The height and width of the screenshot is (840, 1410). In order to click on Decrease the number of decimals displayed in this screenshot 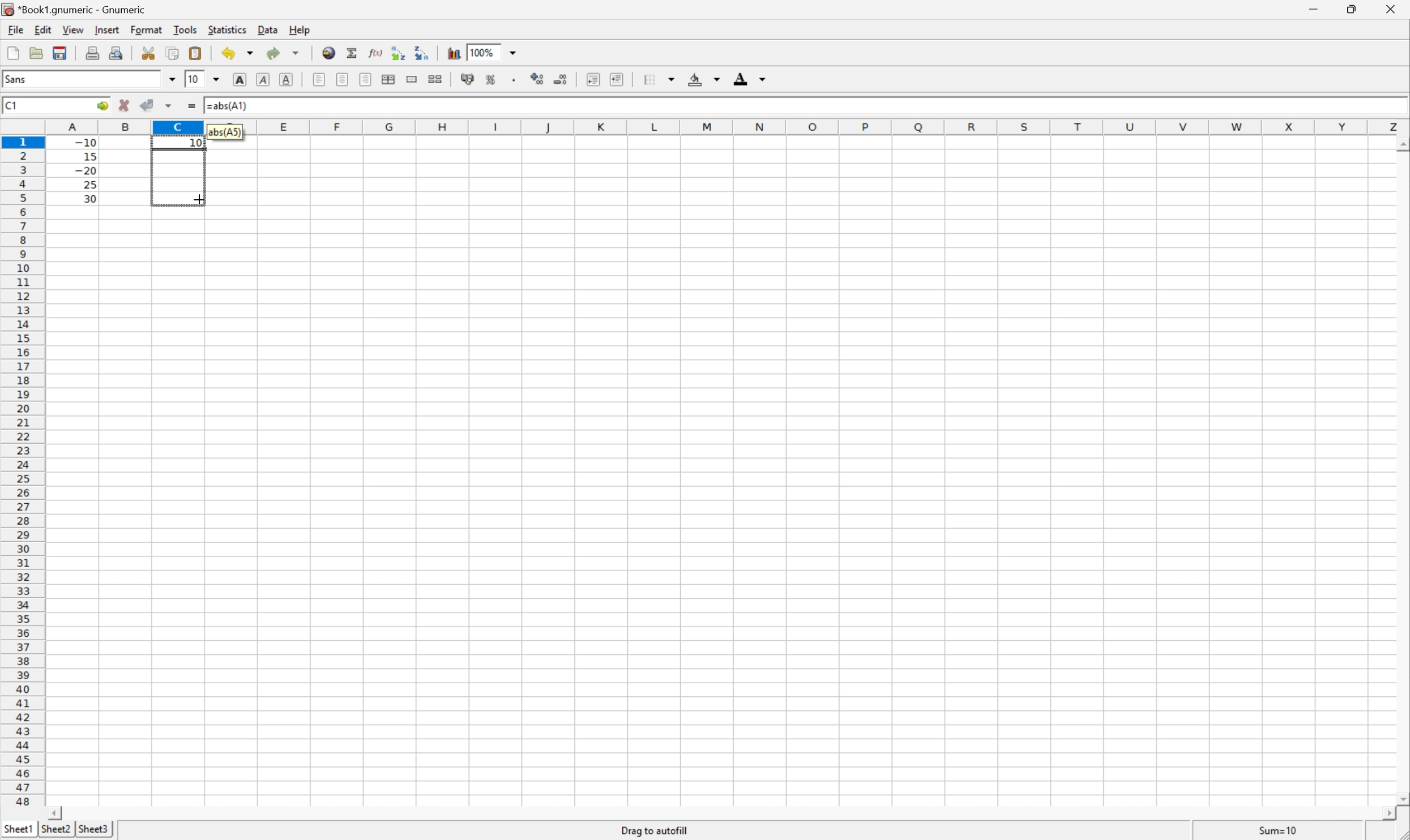, I will do `click(561, 79)`.